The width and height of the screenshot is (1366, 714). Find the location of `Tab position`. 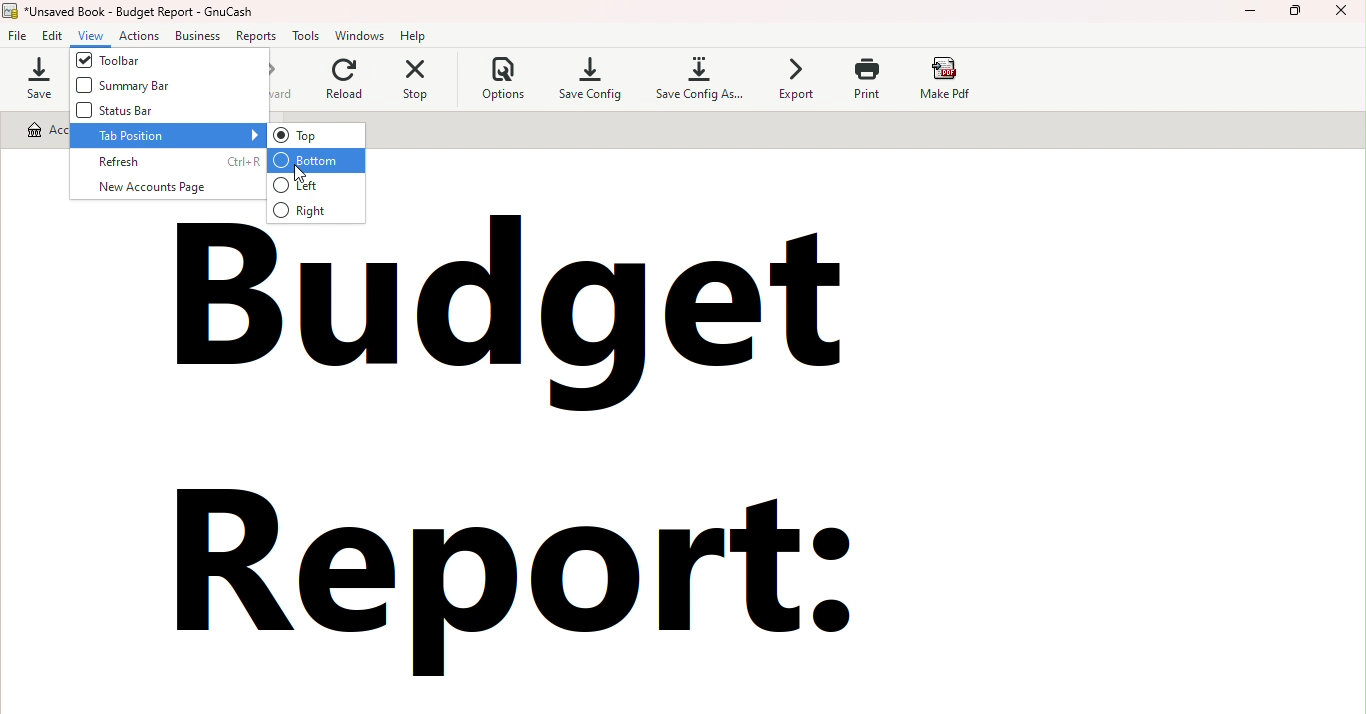

Tab position is located at coordinates (167, 136).